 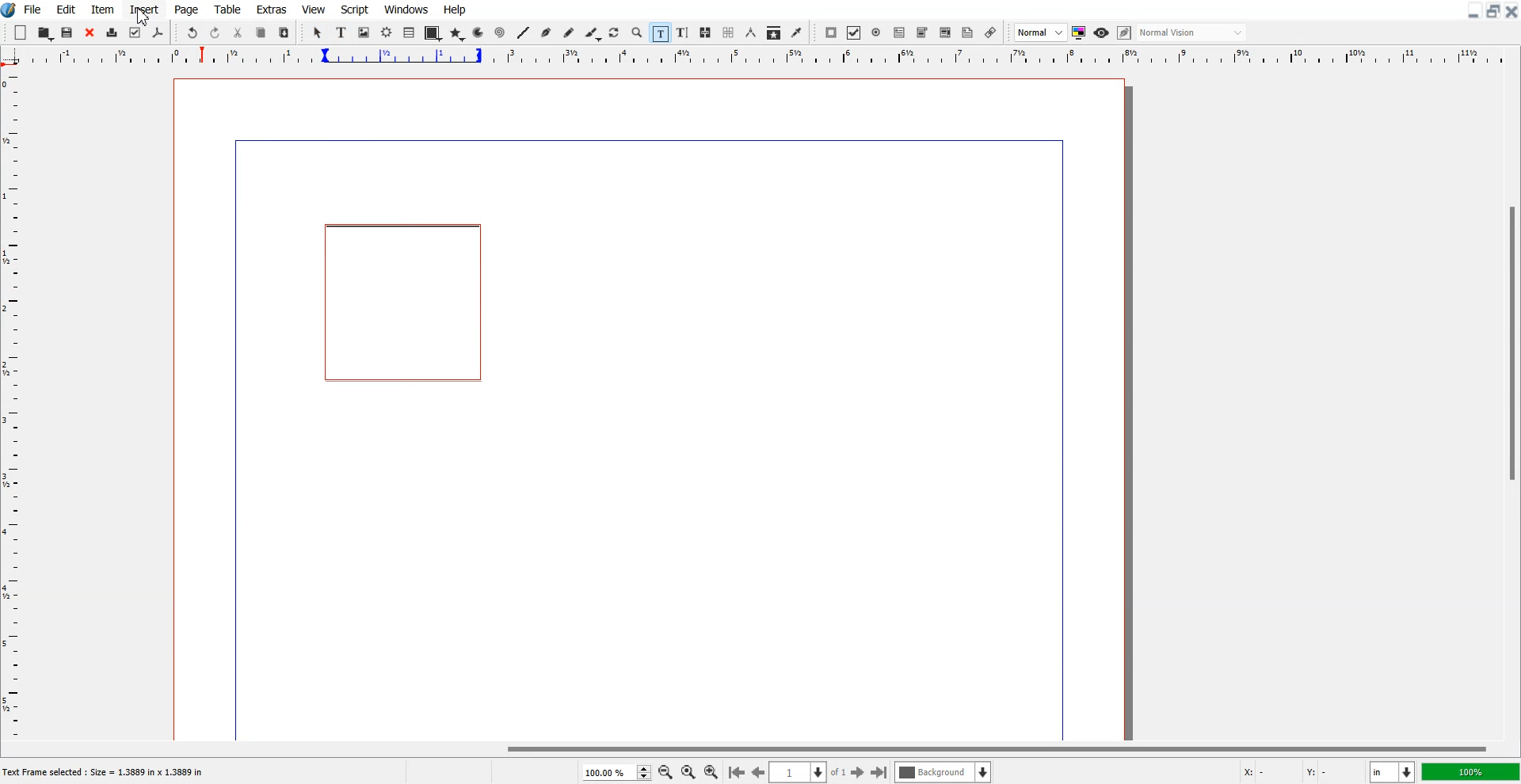 I want to click on Paste, so click(x=284, y=32).